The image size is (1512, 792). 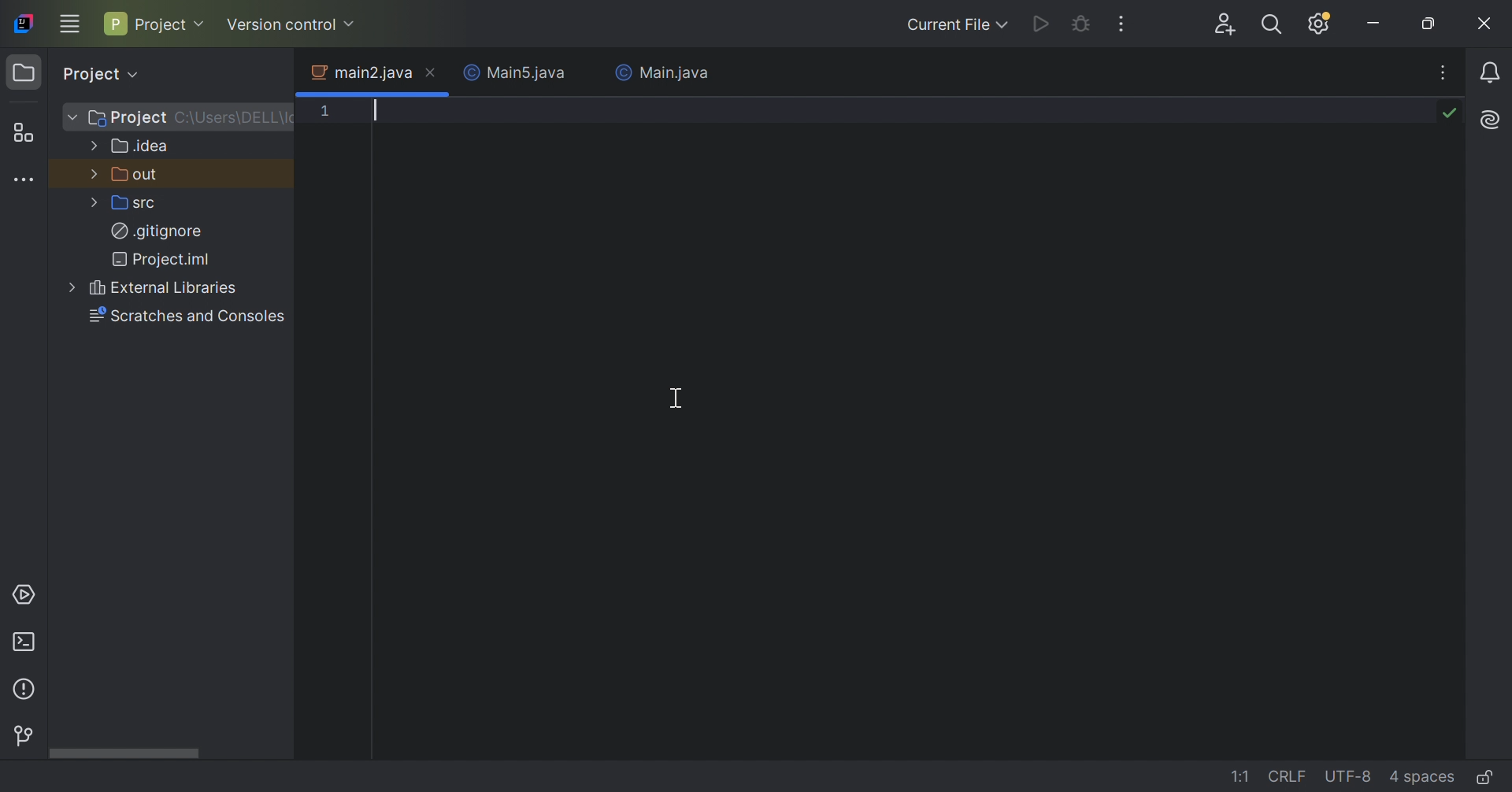 I want to click on Minimize, so click(x=1378, y=22).